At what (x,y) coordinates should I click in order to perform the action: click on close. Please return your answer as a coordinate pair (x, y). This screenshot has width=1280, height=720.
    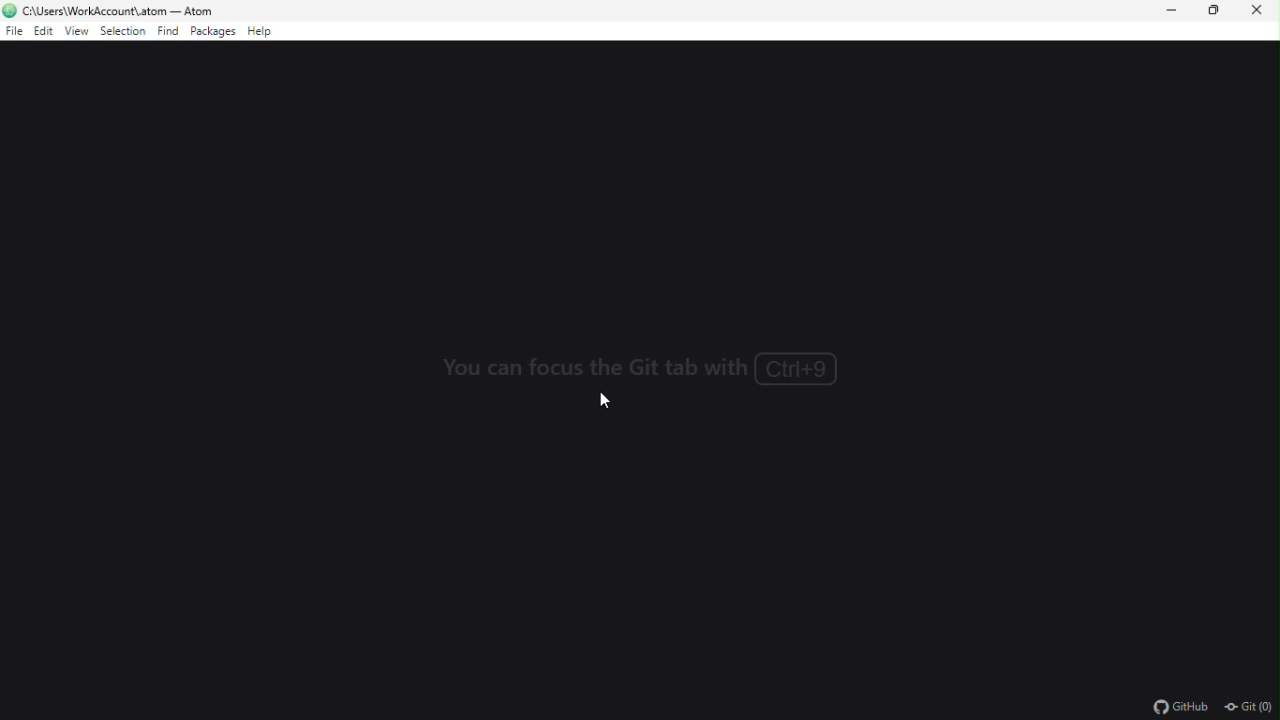
    Looking at the image, I should click on (1261, 14).